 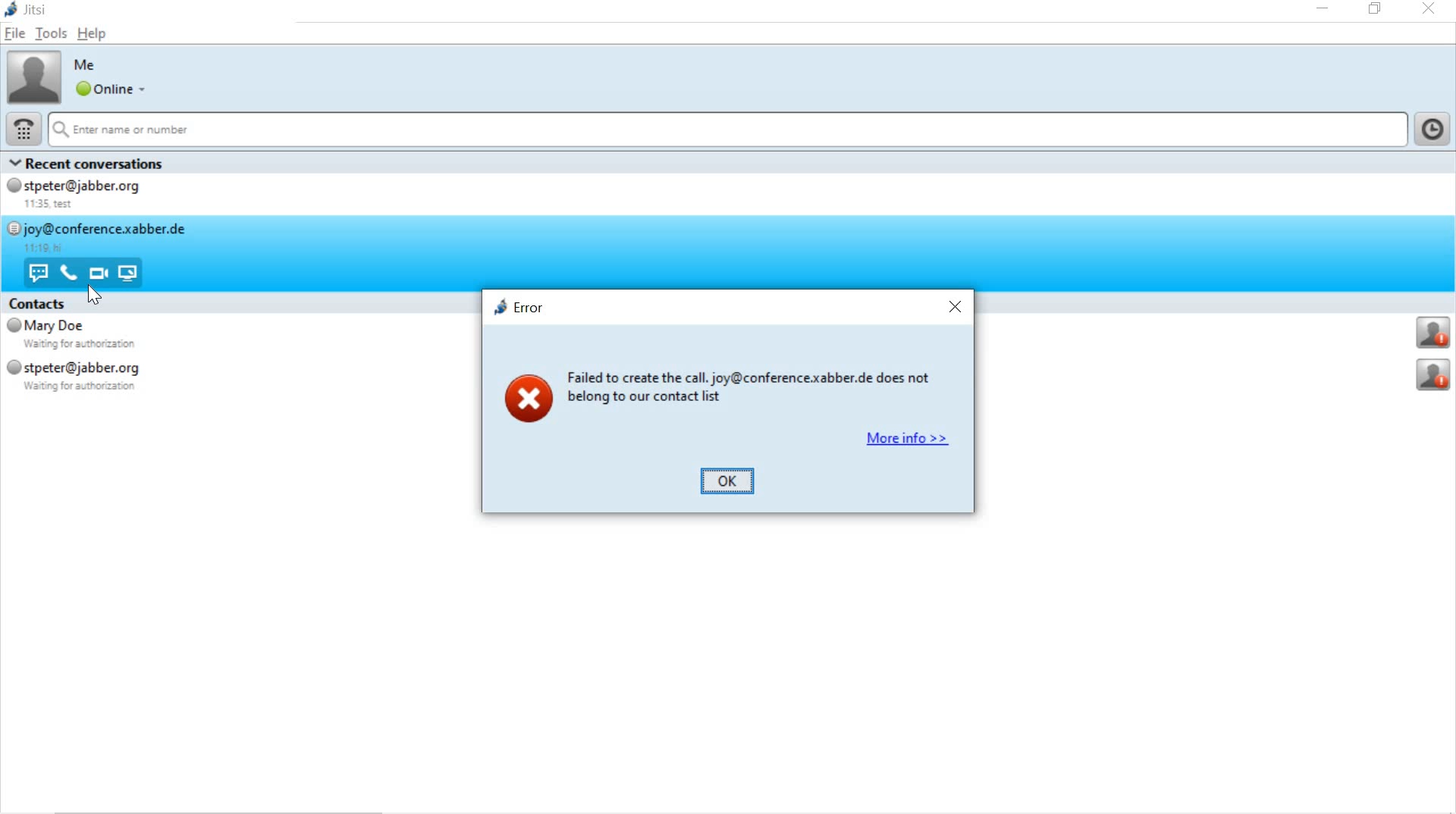 What do you see at coordinates (726, 130) in the screenshot?
I see `Enter name or number` at bounding box center [726, 130].